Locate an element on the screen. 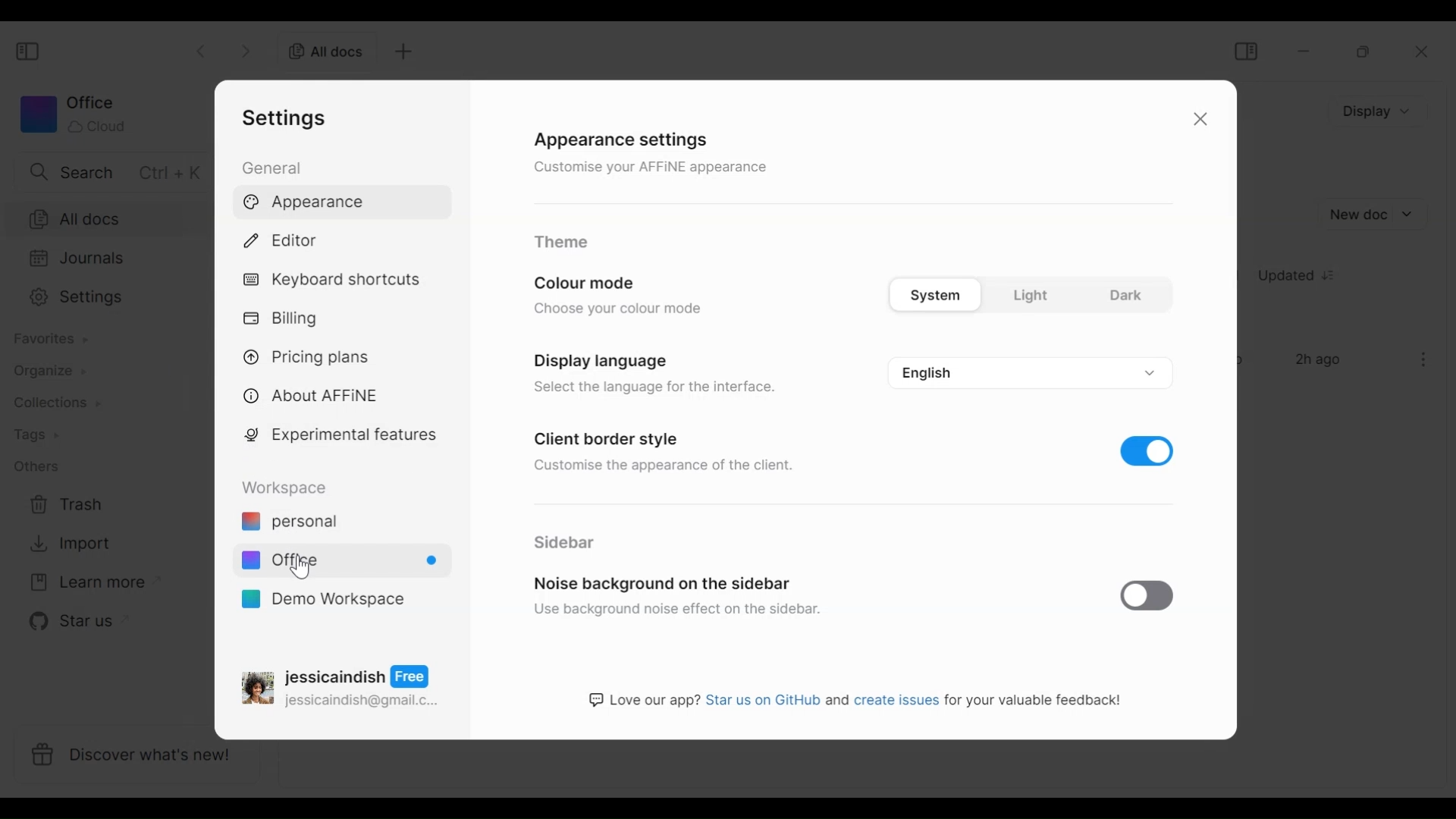  Noise background in the sidebar is located at coordinates (667, 579).